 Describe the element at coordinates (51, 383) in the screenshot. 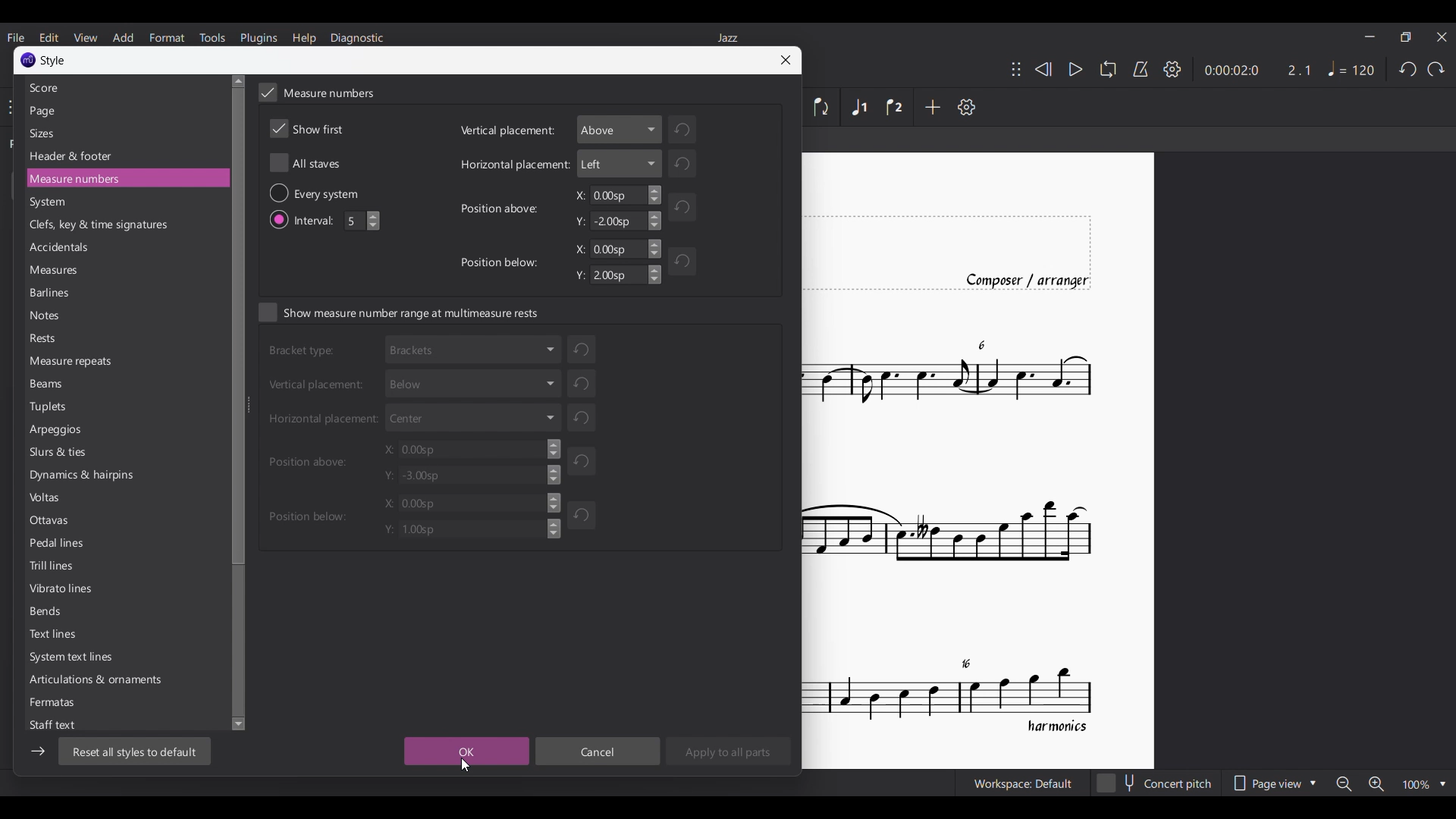

I see `Beams` at that location.